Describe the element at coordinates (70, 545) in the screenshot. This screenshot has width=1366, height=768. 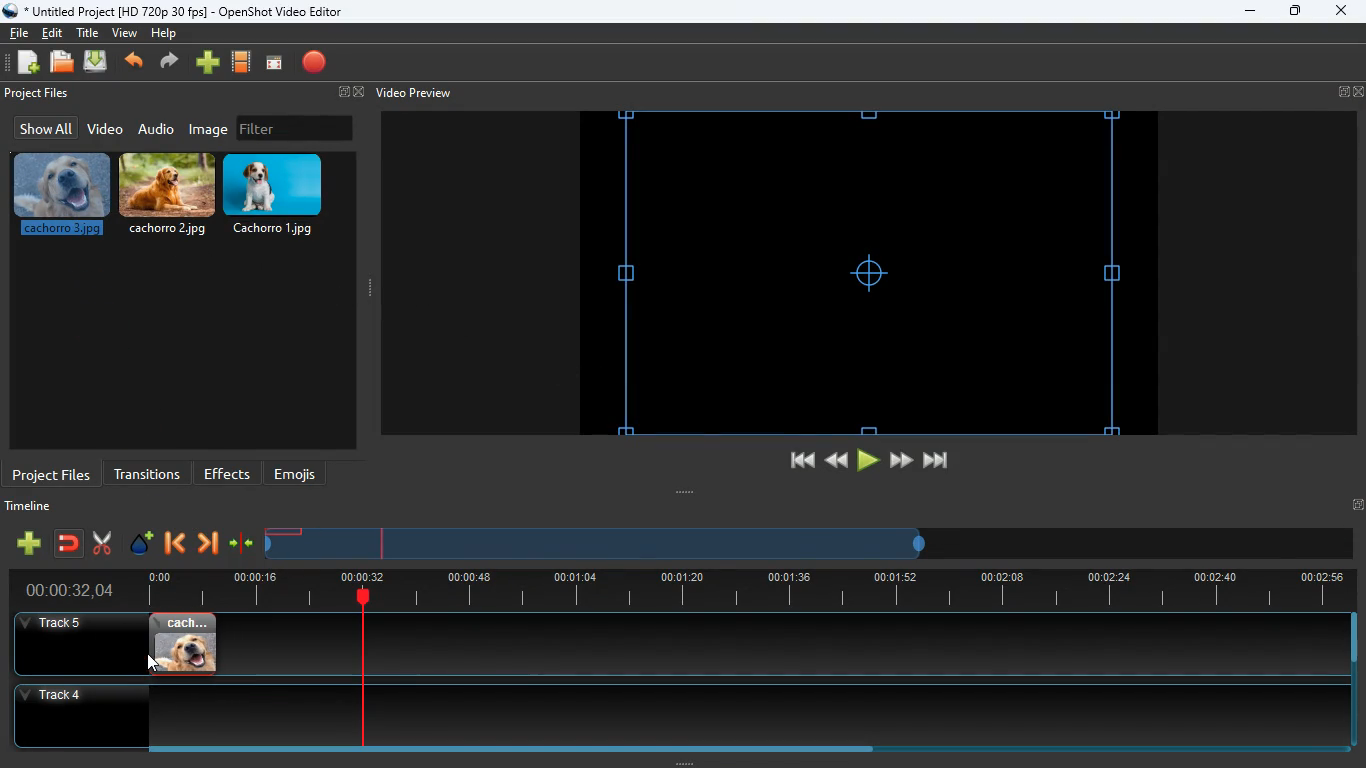
I see `join` at that location.